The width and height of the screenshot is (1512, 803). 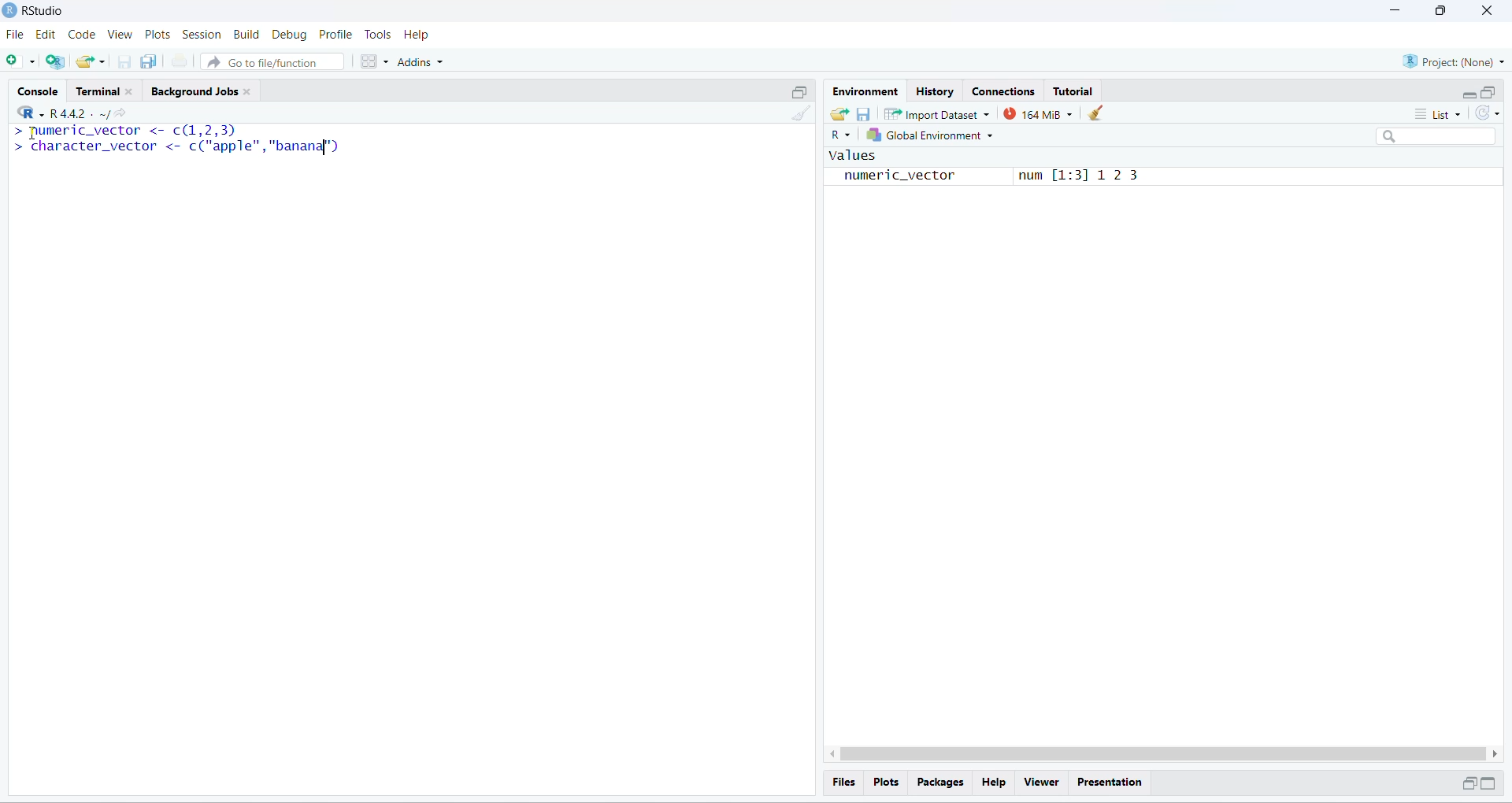 What do you see at coordinates (1438, 137) in the screenshot?
I see `search` at bounding box center [1438, 137].